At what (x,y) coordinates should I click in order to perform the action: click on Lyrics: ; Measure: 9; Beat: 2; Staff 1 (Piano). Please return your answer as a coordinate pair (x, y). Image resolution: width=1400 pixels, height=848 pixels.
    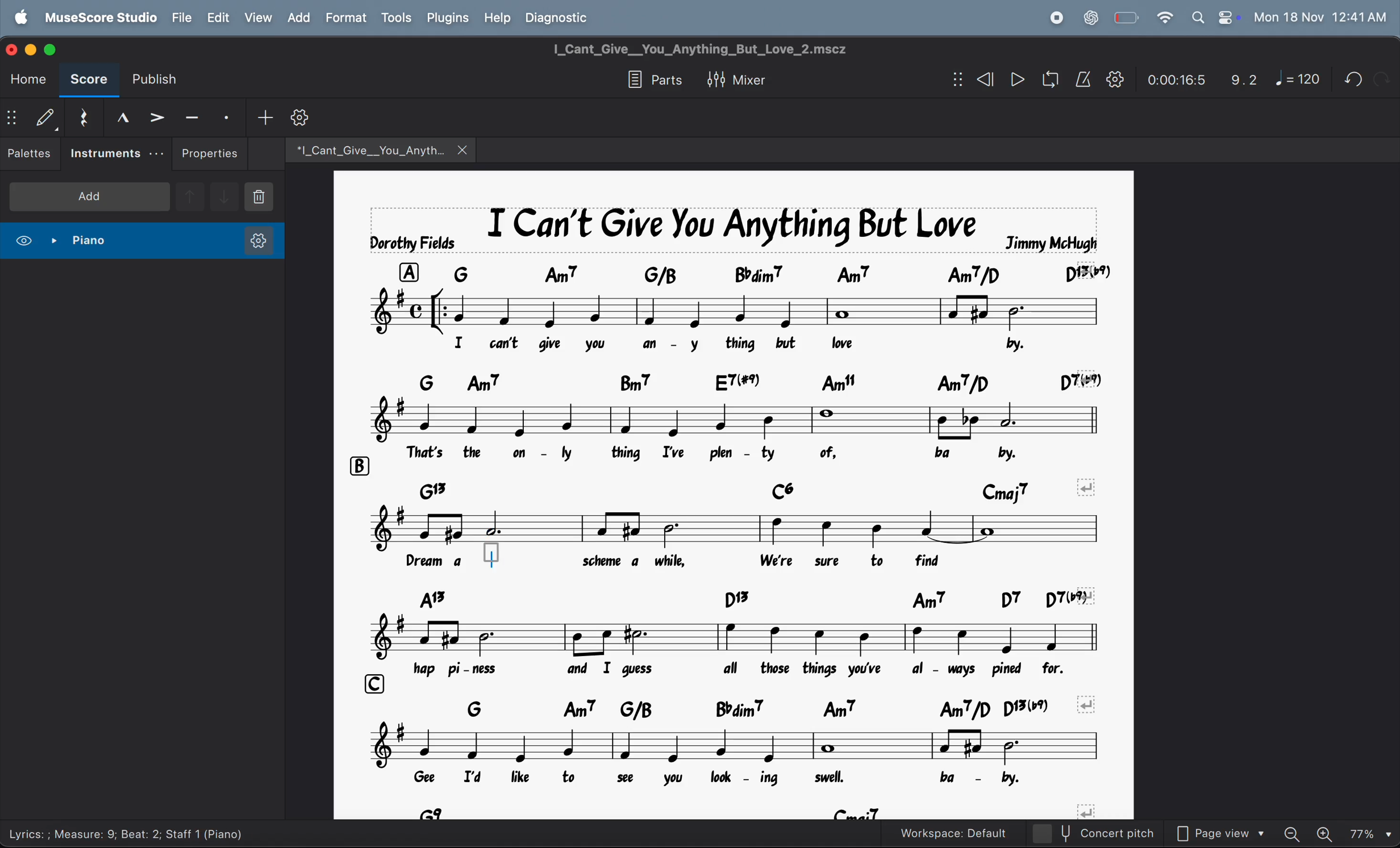
    Looking at the image, I should click on (127, 832).